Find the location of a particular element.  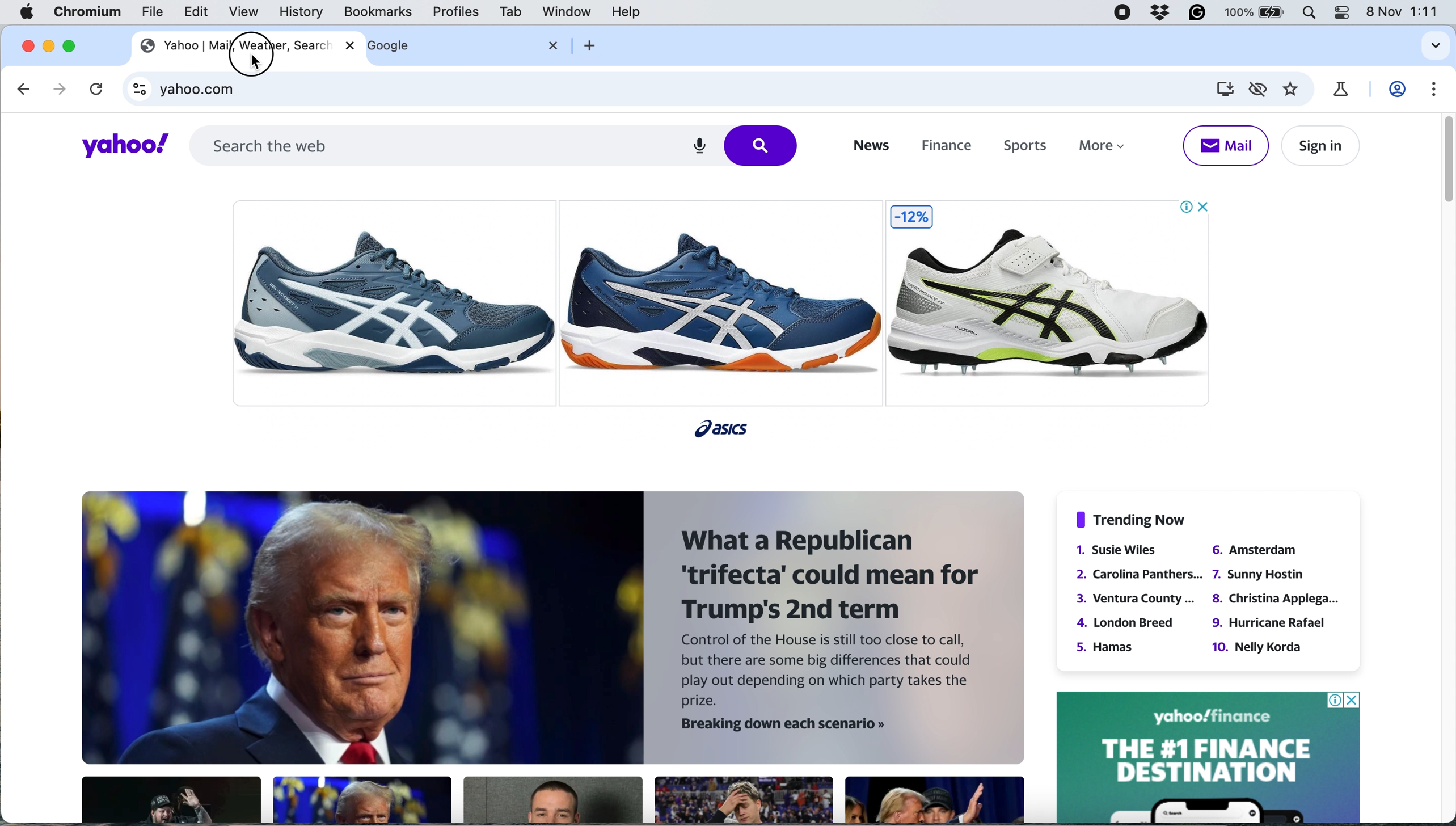

history is located at coordinates (299, 12).